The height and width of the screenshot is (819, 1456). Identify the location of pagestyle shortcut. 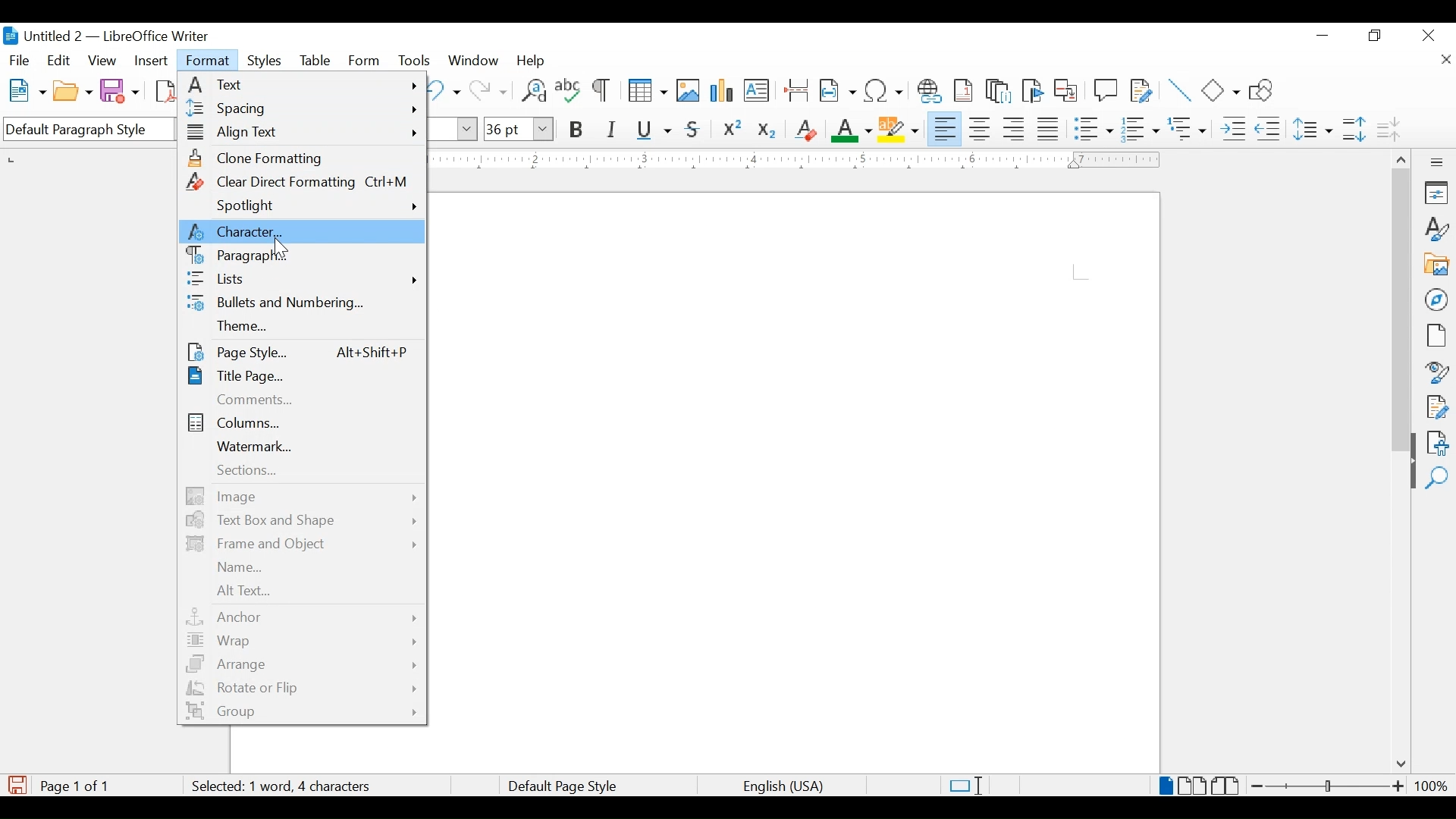
(374, 351).